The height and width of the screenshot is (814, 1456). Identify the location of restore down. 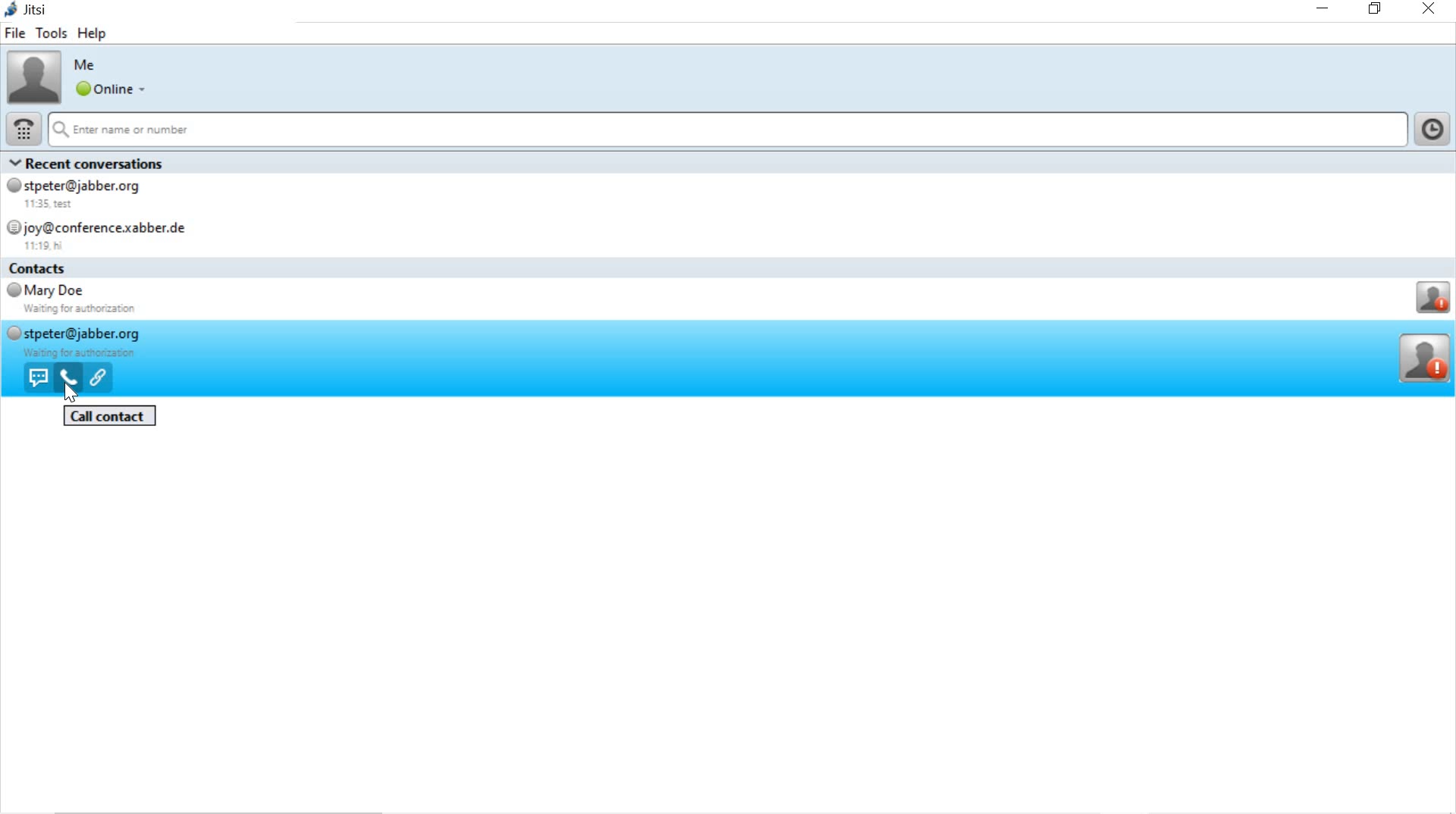
(1376, 9).